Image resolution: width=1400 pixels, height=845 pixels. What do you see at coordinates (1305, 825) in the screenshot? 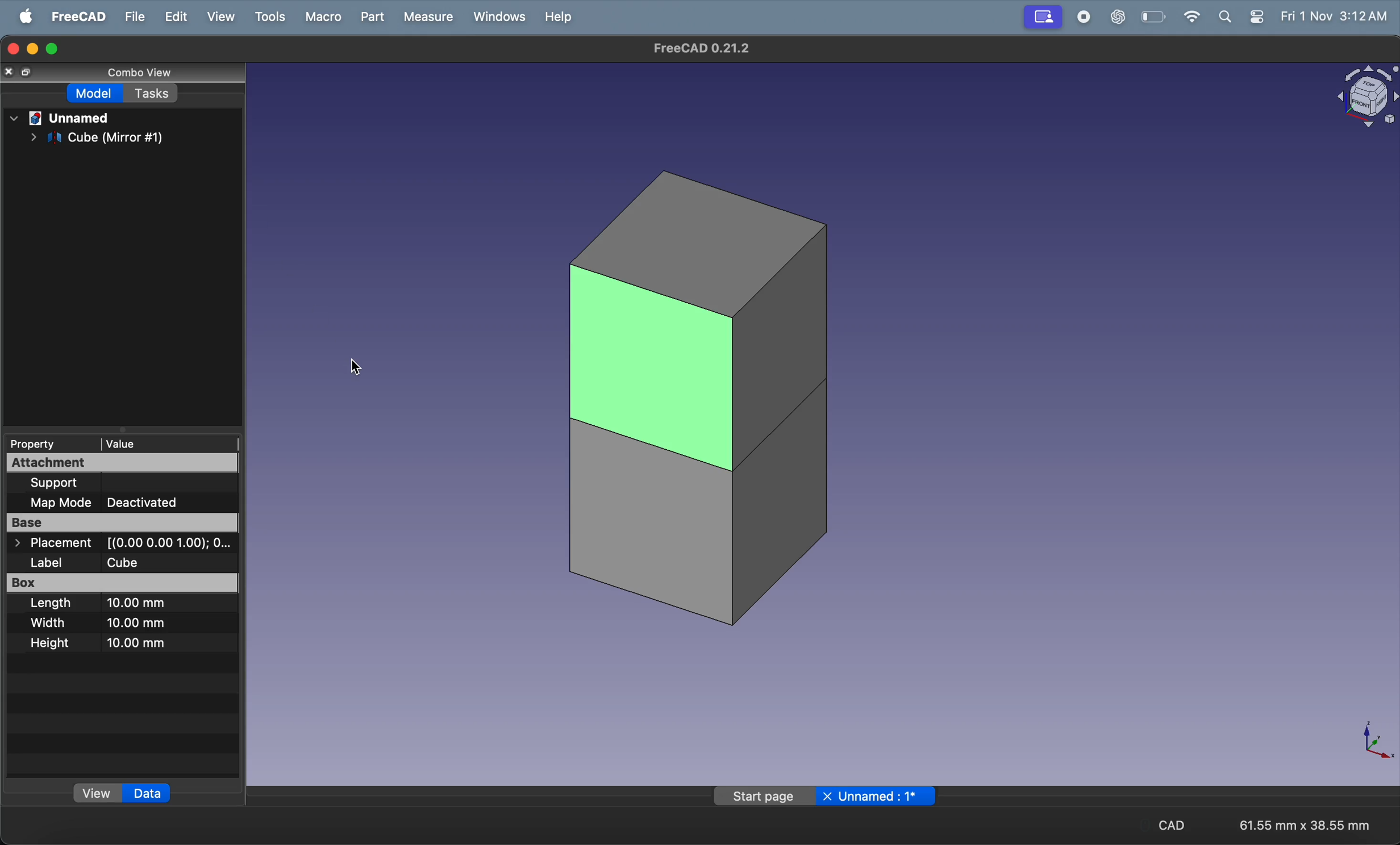
I see `61.55 mm x 38.55 mm` at bounding box center [1305, 825].